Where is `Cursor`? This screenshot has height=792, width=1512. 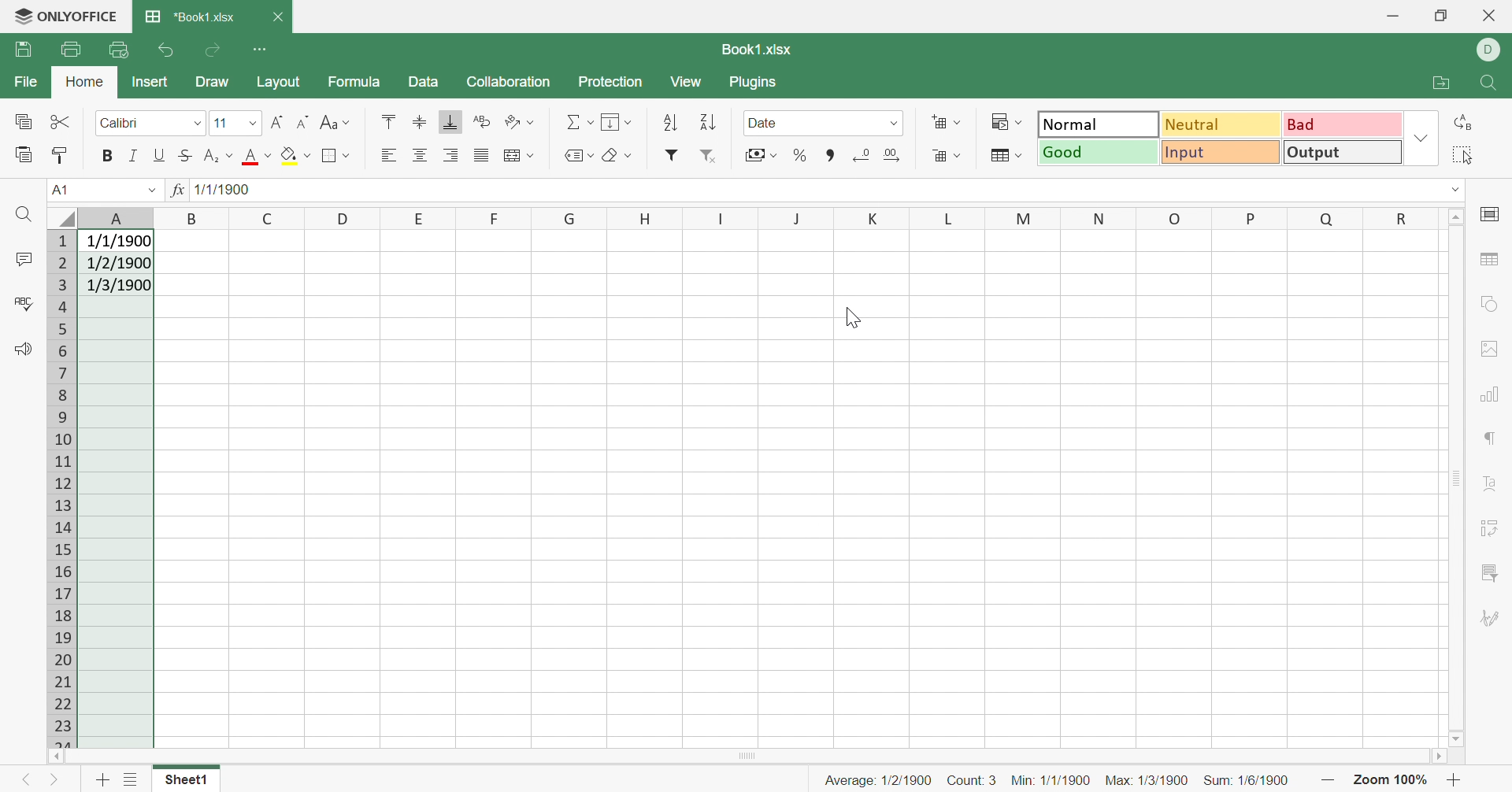 Cursor is located at coordinates (853, 318).